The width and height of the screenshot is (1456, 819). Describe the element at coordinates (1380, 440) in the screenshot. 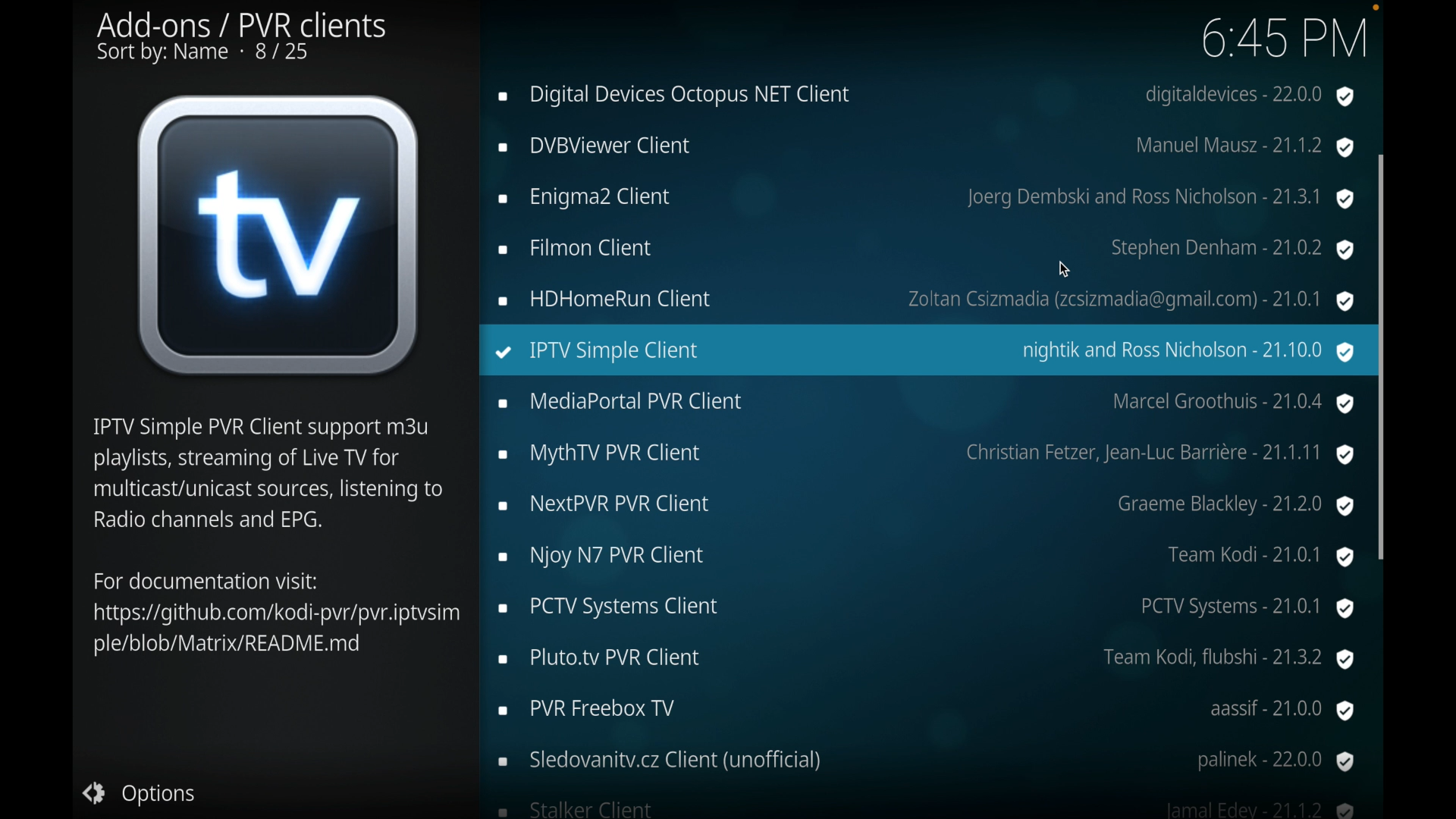

I see `scroll box` at that location.